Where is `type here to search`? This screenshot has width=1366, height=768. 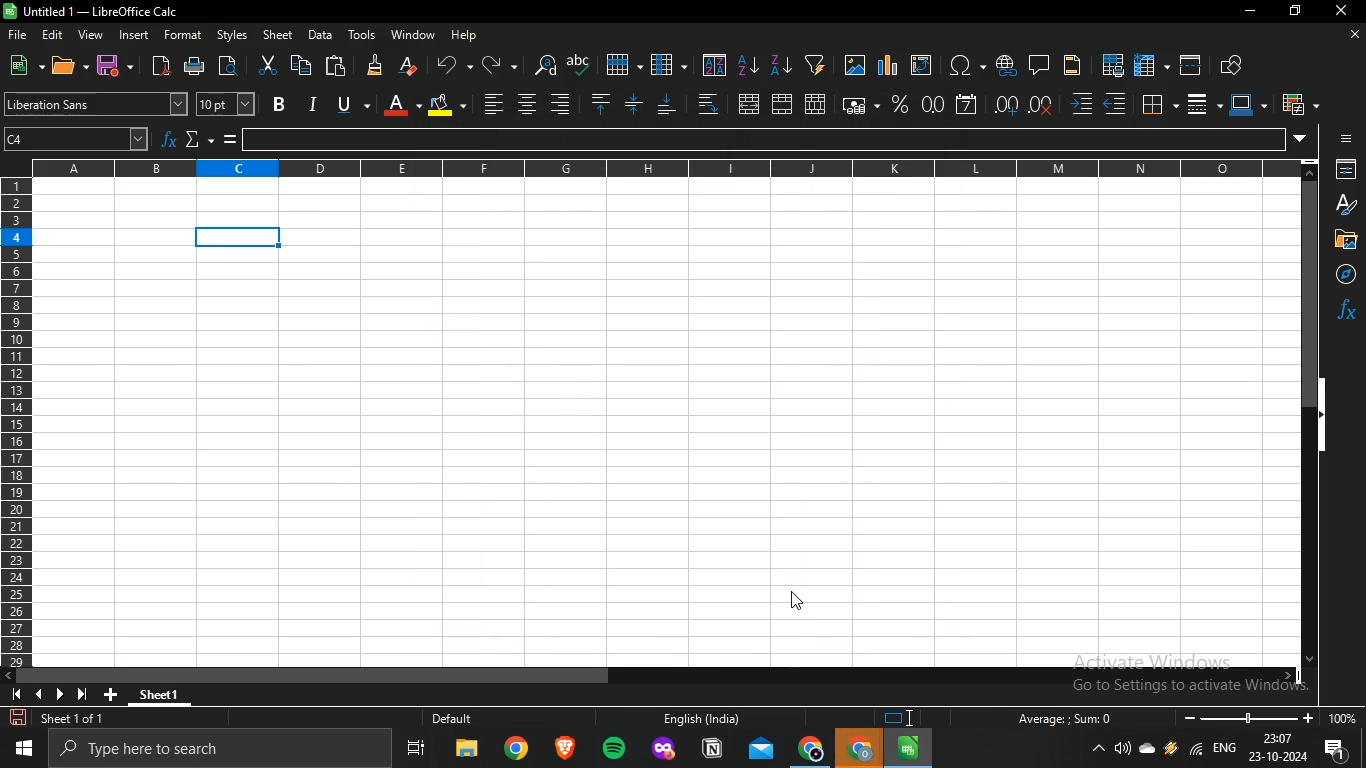
type here to search is located at coordinates (225, 750).